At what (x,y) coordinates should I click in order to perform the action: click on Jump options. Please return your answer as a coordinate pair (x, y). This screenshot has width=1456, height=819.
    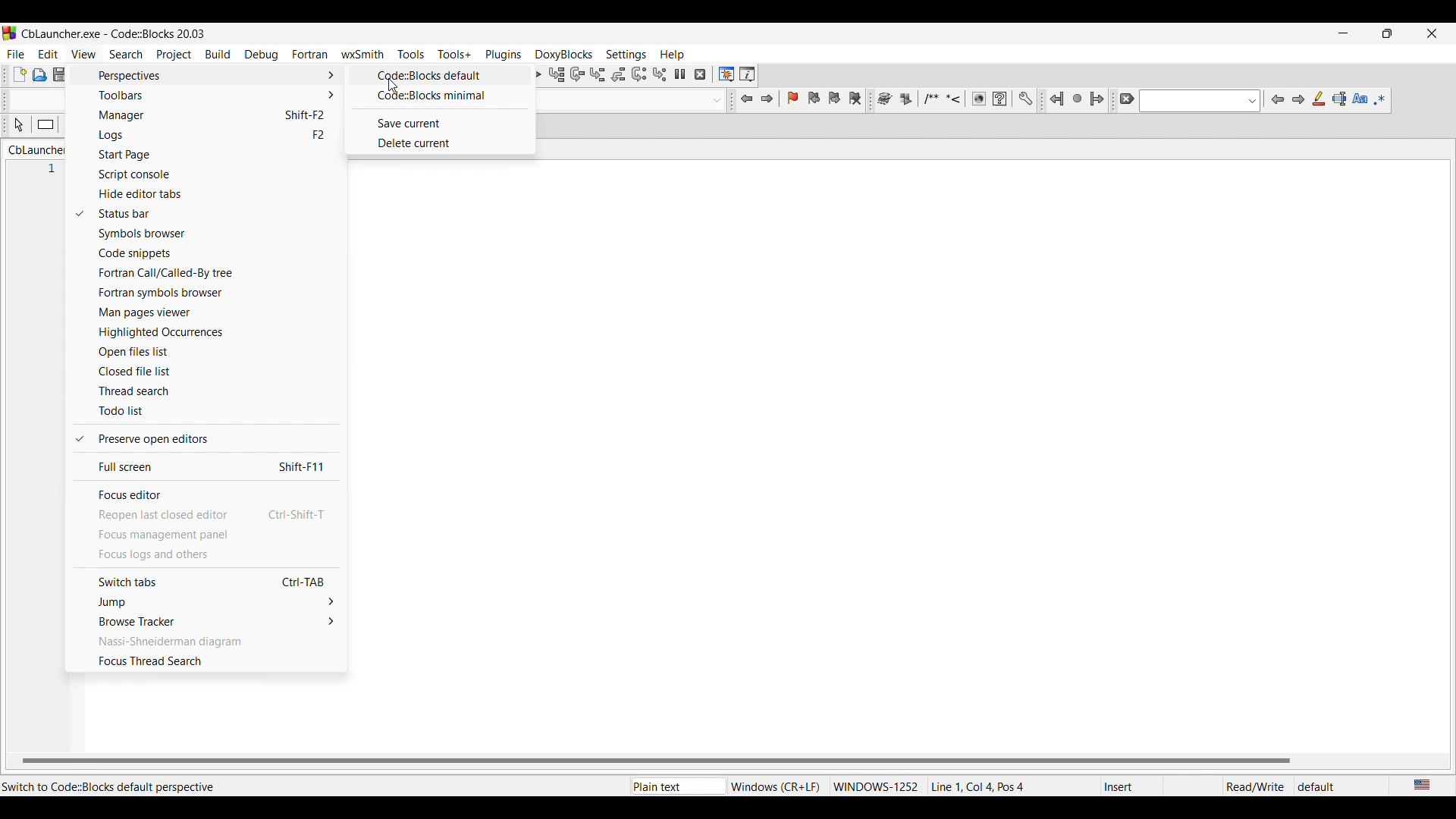
    Looking at the image, I should click on (209, 602).